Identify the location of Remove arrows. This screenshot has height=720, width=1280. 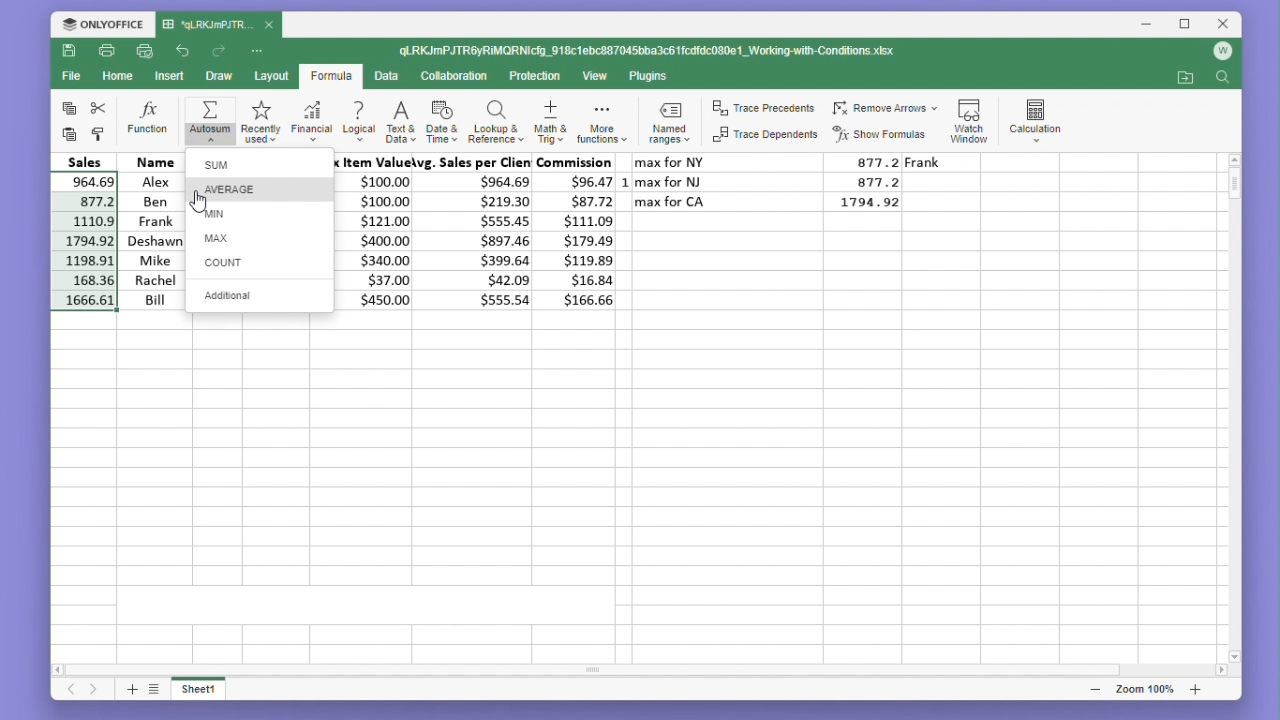
(884, 109).